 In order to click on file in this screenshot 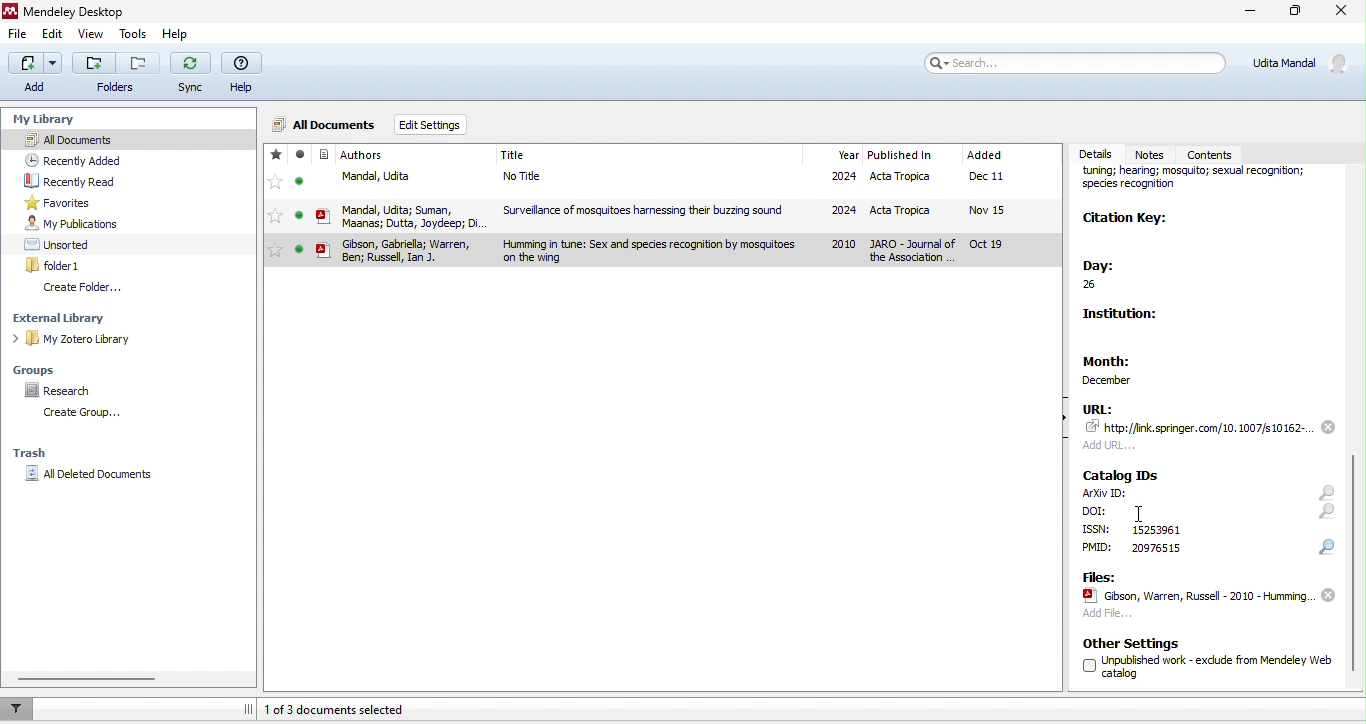, I will do `click(1196, 596)`.